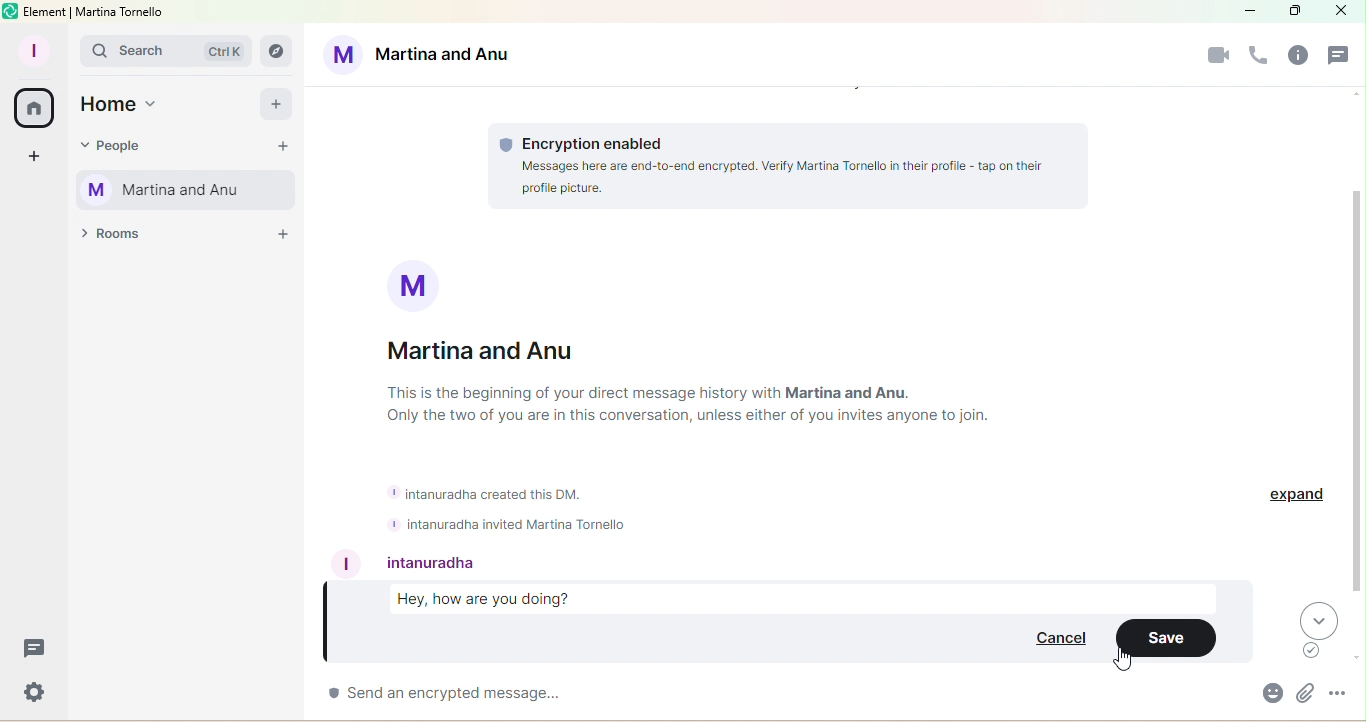 Image resolution: width=1366 pixels, height=722 pixels. Describe the element at coordinates (165, 53) in the screenshot. I see `Search bar` at that location.